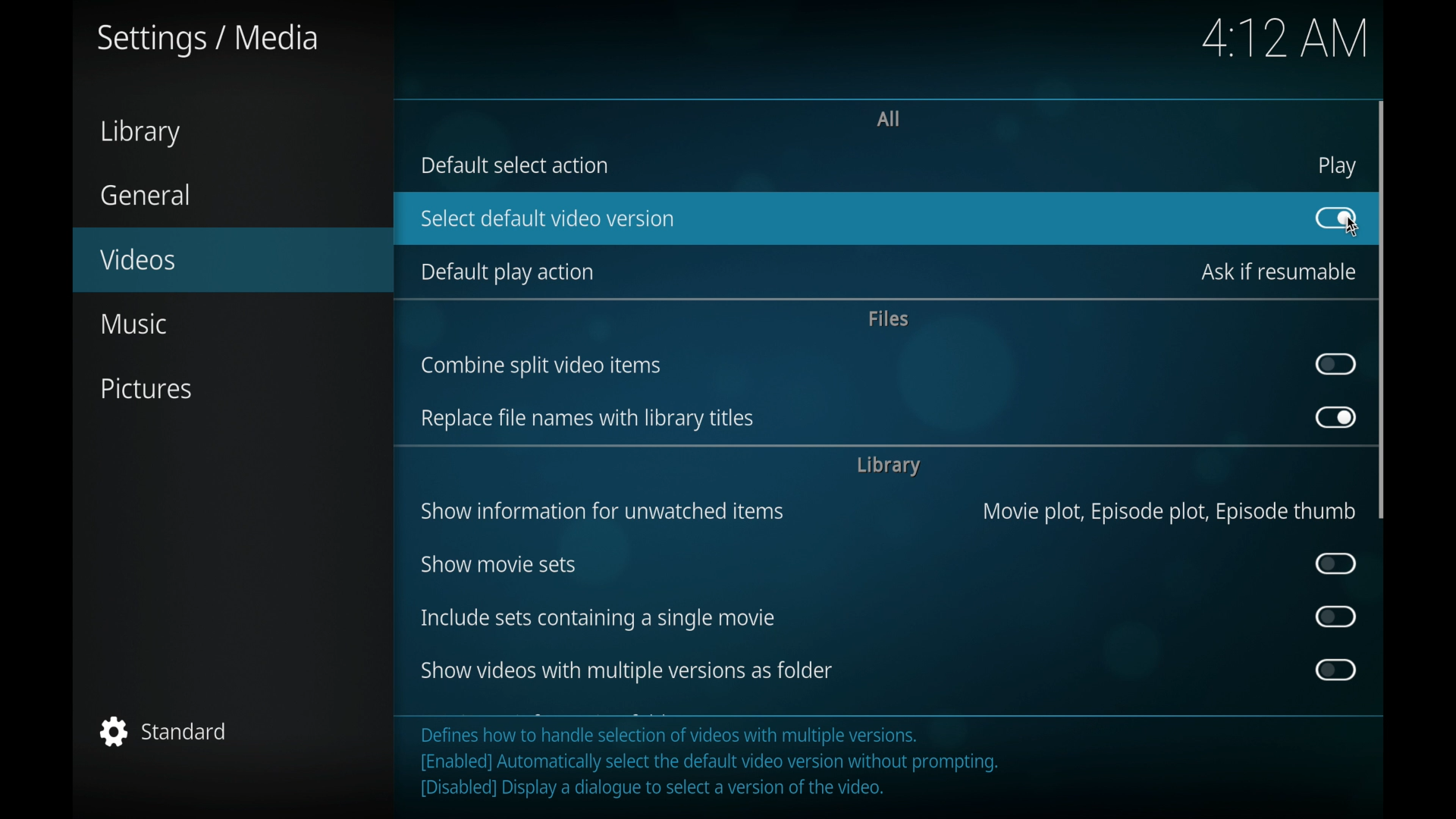 This screenshot has width=1456, height=819. Describe the element at coordinates (547, 218) in the screenshot. I see `select default video version` at that location.